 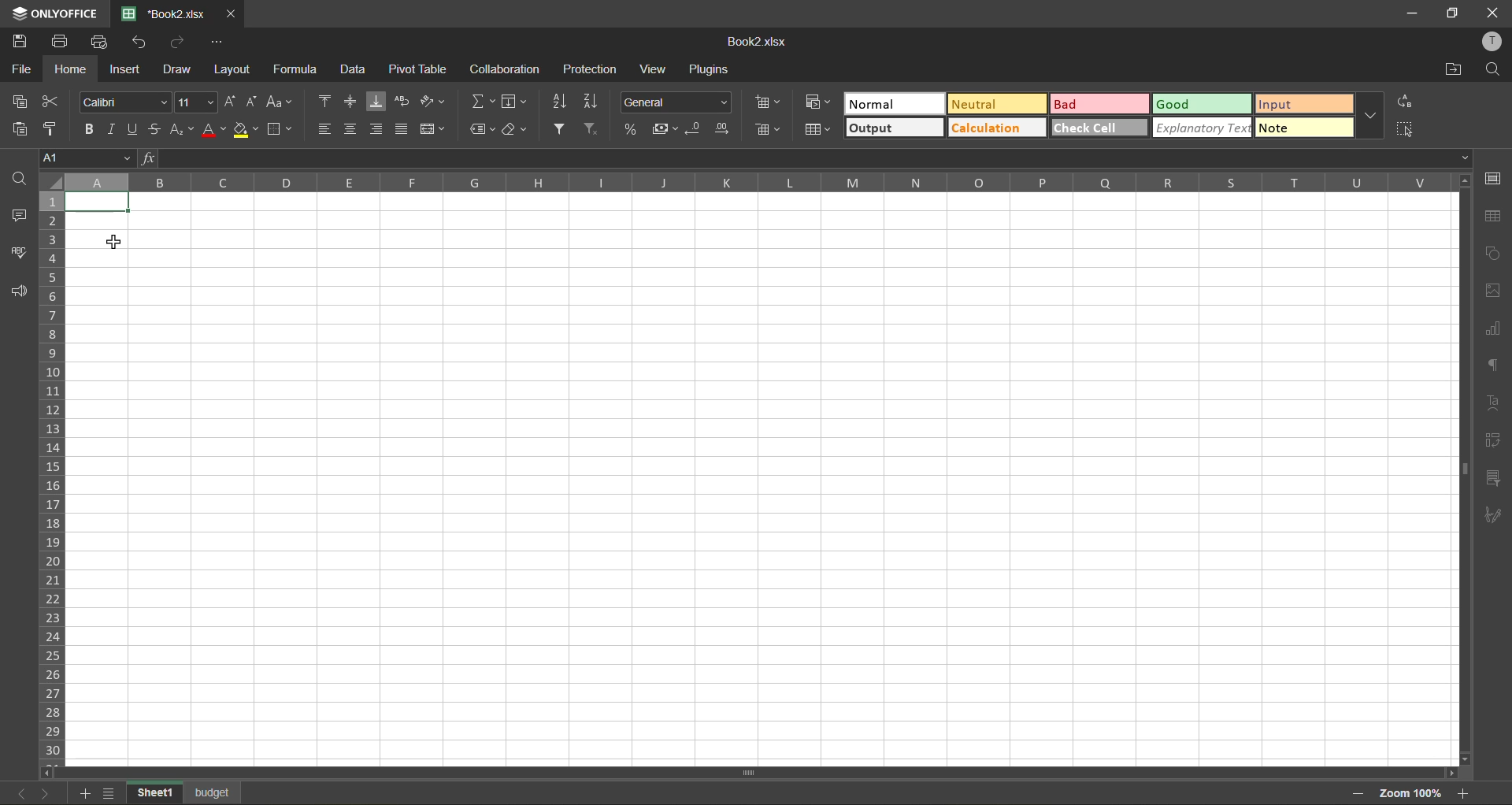 What do you see at coordinates (417, 69) in the screenshot?
I see `pivot table` at bounding box center [417, 69].